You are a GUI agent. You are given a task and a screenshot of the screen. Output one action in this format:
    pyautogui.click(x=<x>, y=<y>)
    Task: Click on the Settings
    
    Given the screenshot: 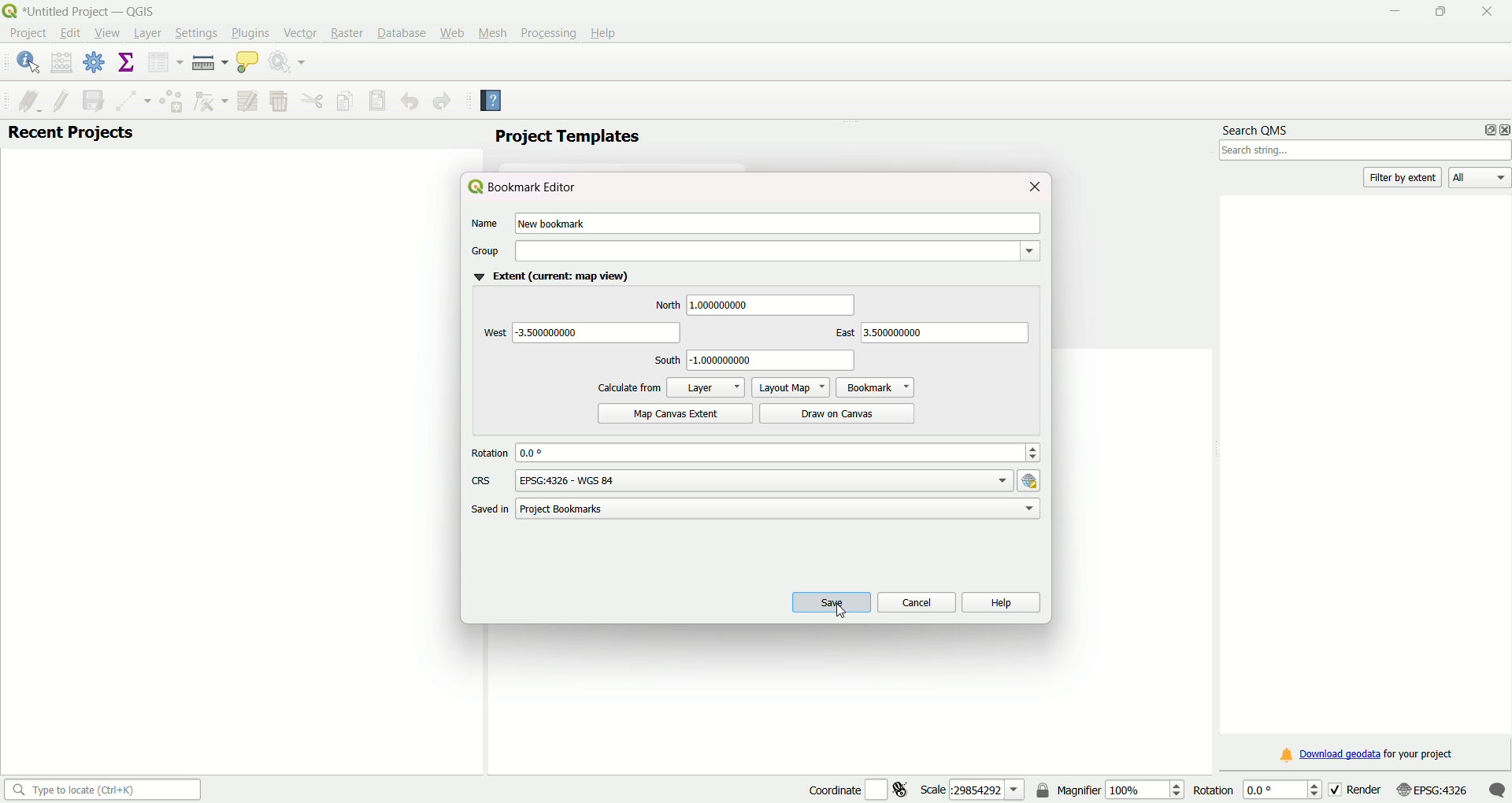 What is the action you would take?
    pyautogui.click(x=193, y=33)
    